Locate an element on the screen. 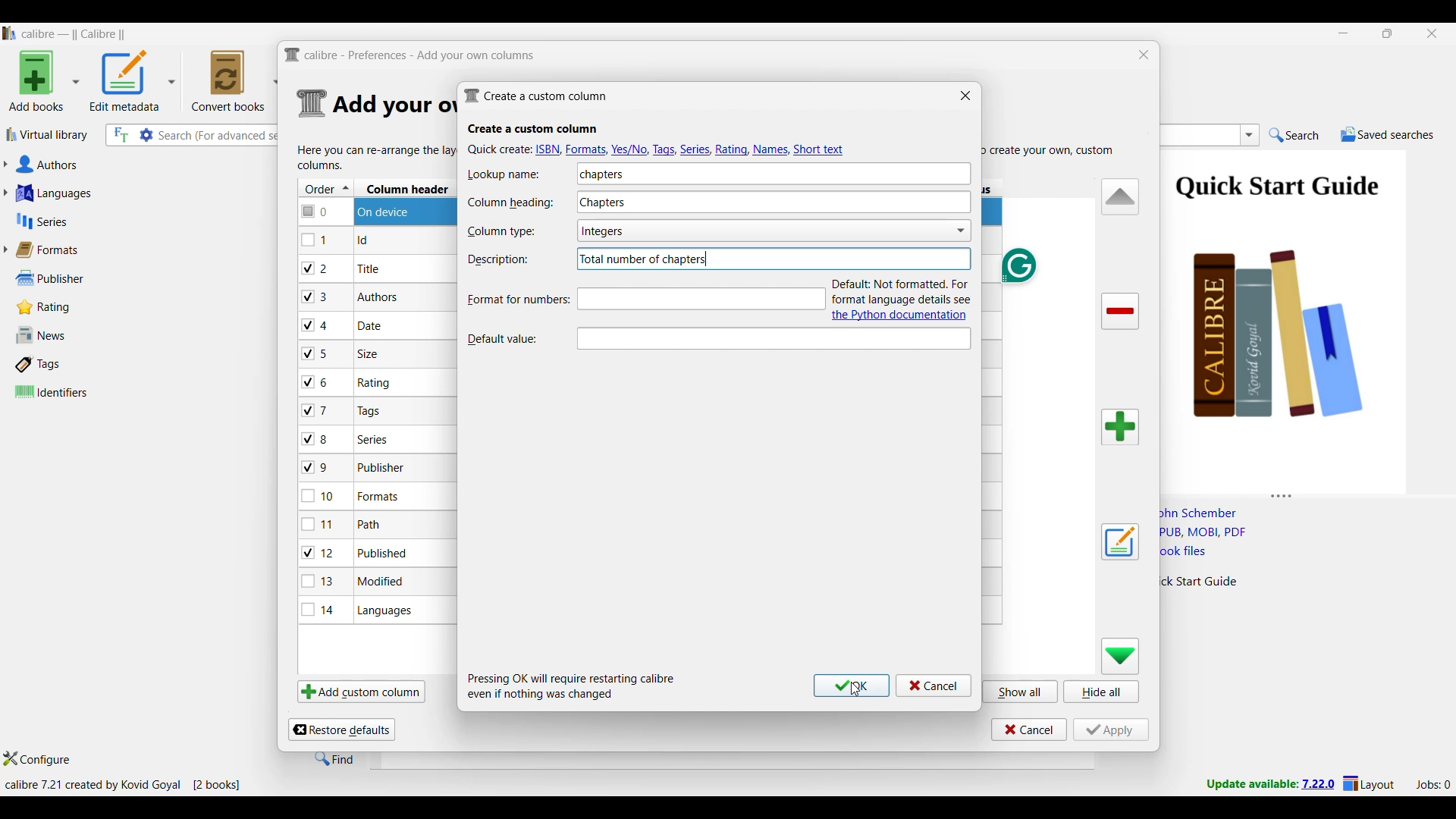  Tags is located at coordinates (71, 364).